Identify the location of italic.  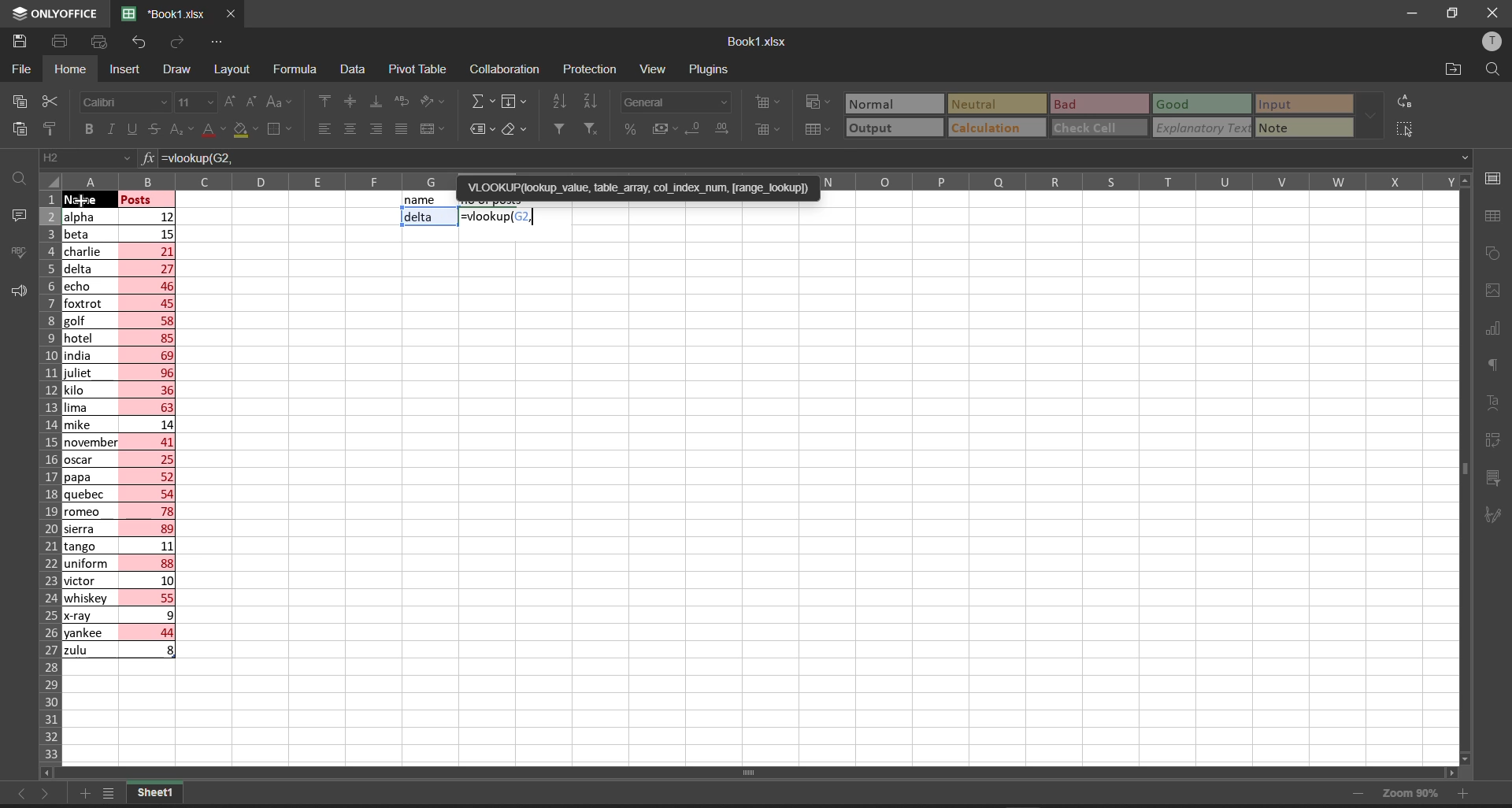
(109, 129).